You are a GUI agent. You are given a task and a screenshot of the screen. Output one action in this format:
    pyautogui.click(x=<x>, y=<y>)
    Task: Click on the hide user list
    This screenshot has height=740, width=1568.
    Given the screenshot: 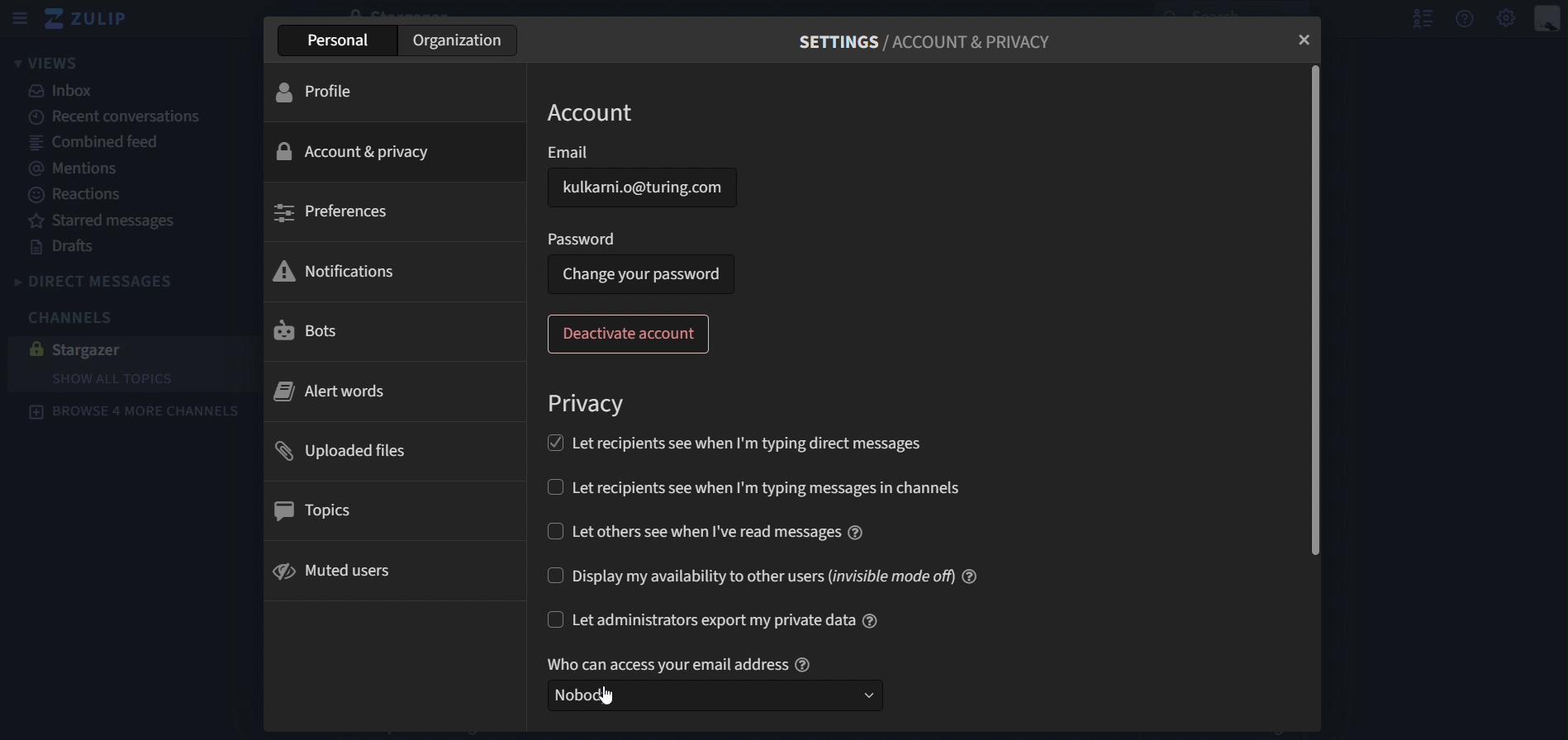 What is the action you would take?
    pyautogui.click(x=1417, y=19)
    